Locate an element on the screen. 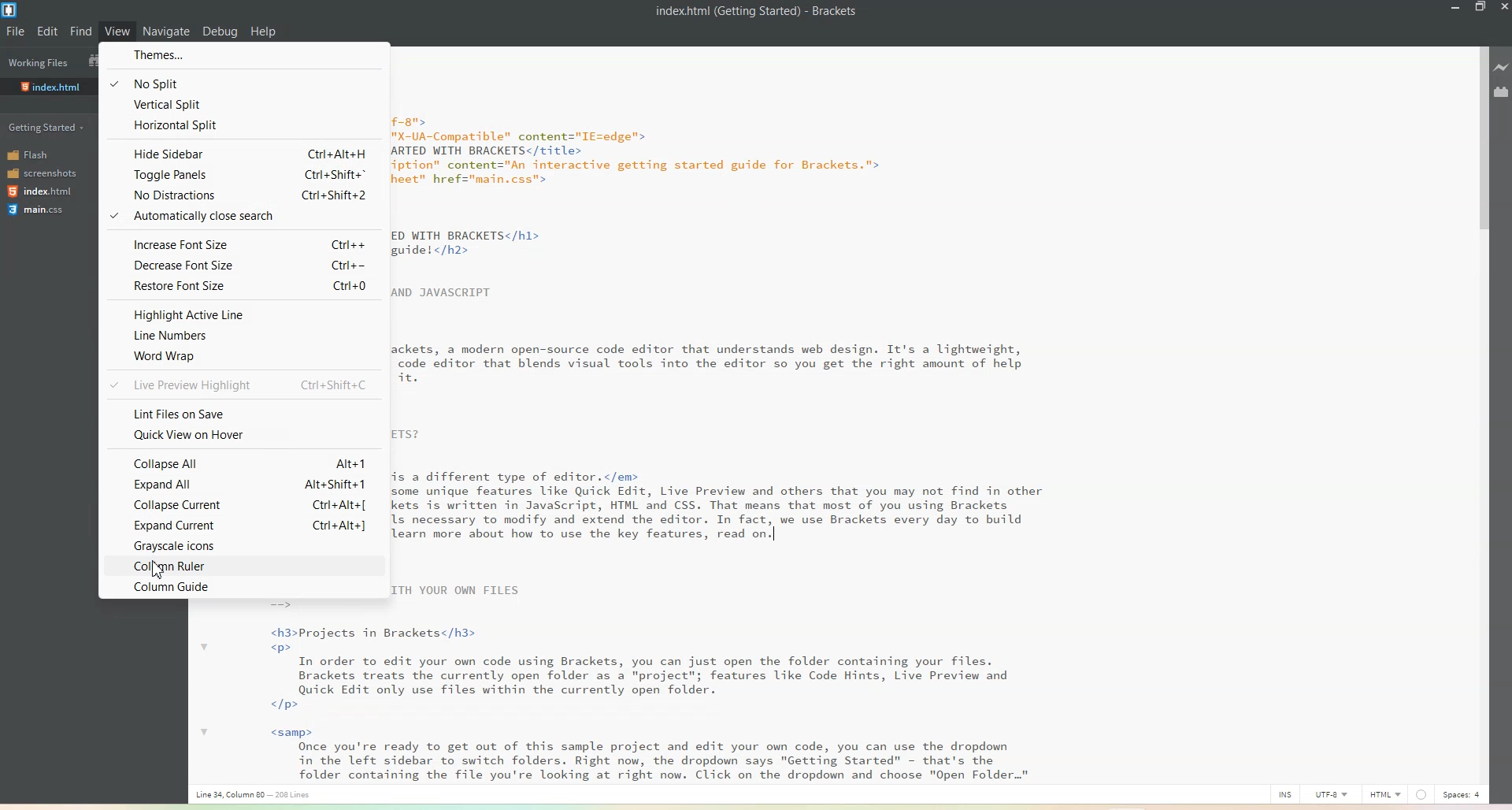  Increase Font Size is located at coordinates (241, 244).